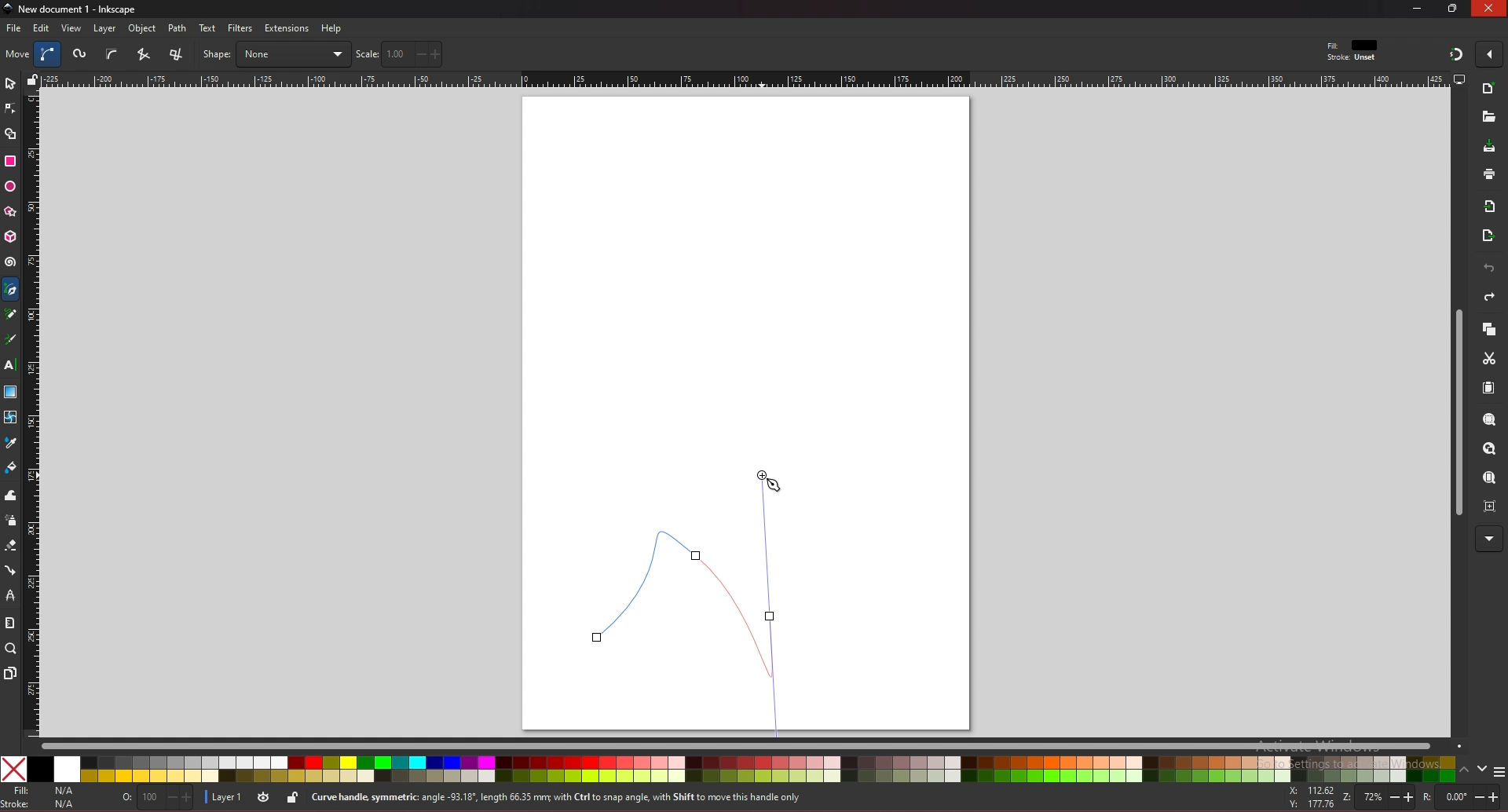 This screenshot has width=1508, height=812. I want to click on down, so click(1483, 769).